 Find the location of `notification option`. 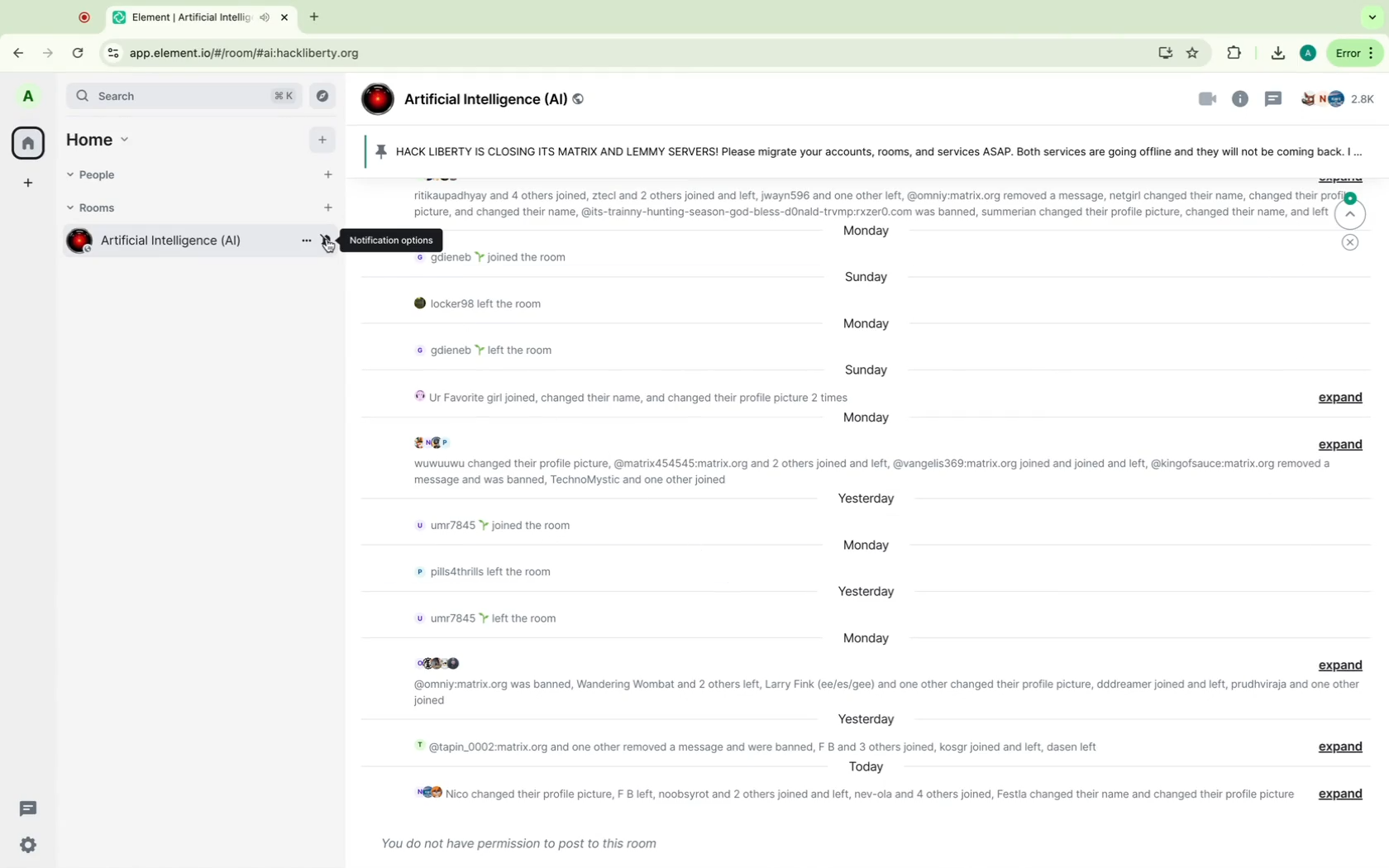

notification option is located at coordinates (328, 241).